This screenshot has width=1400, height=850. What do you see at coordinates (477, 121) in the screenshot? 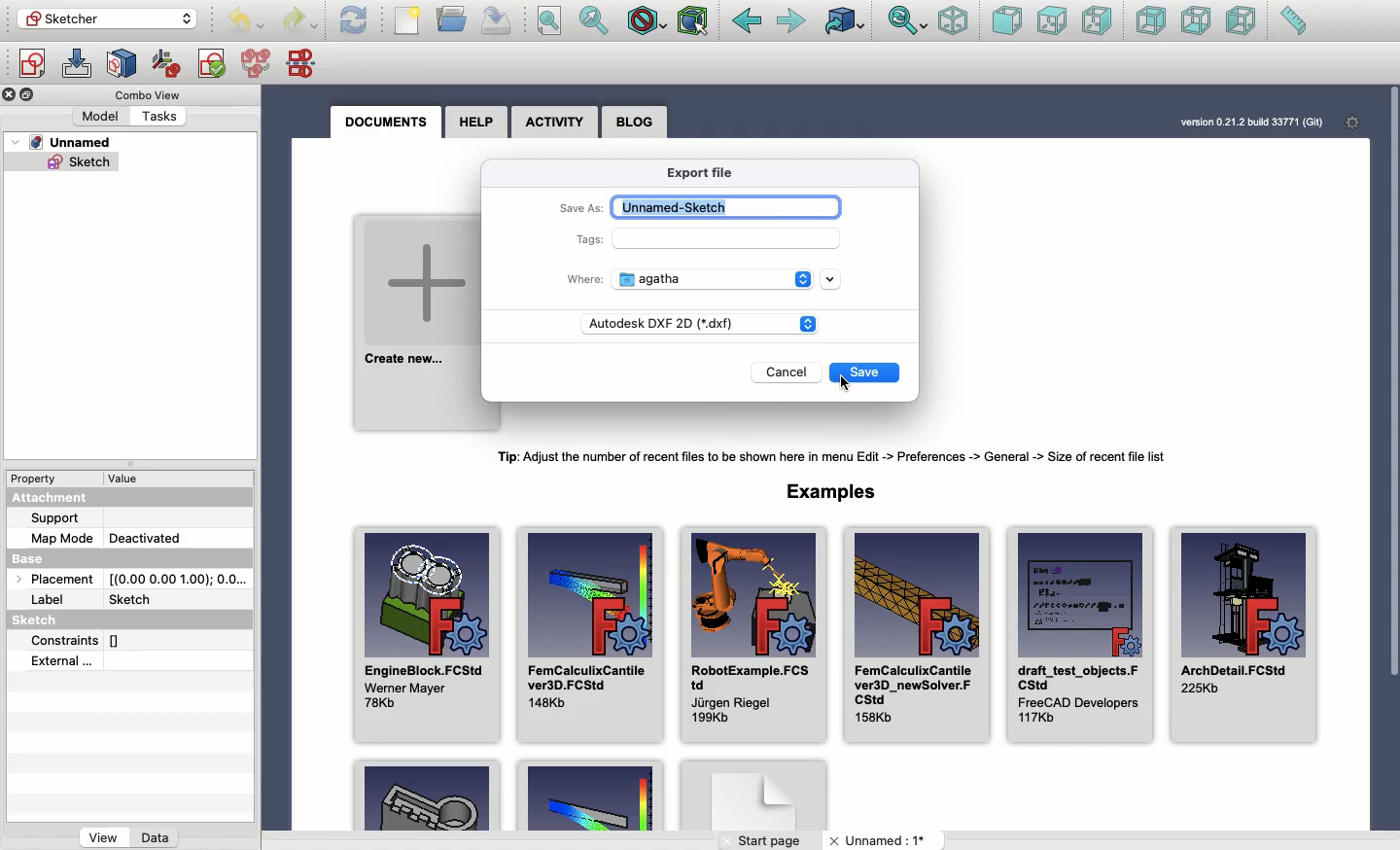
I see `Help` at bounding box center [477, 121].